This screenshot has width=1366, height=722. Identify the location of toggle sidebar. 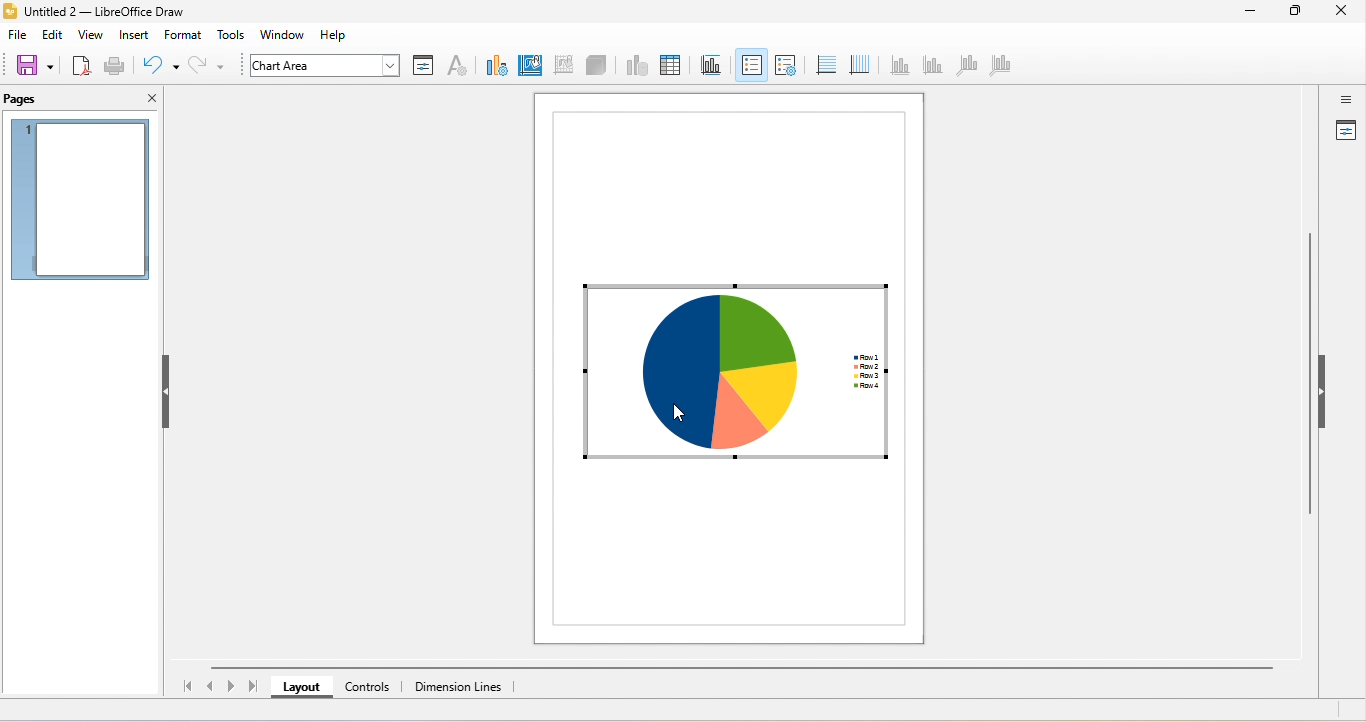
(1345, 99).